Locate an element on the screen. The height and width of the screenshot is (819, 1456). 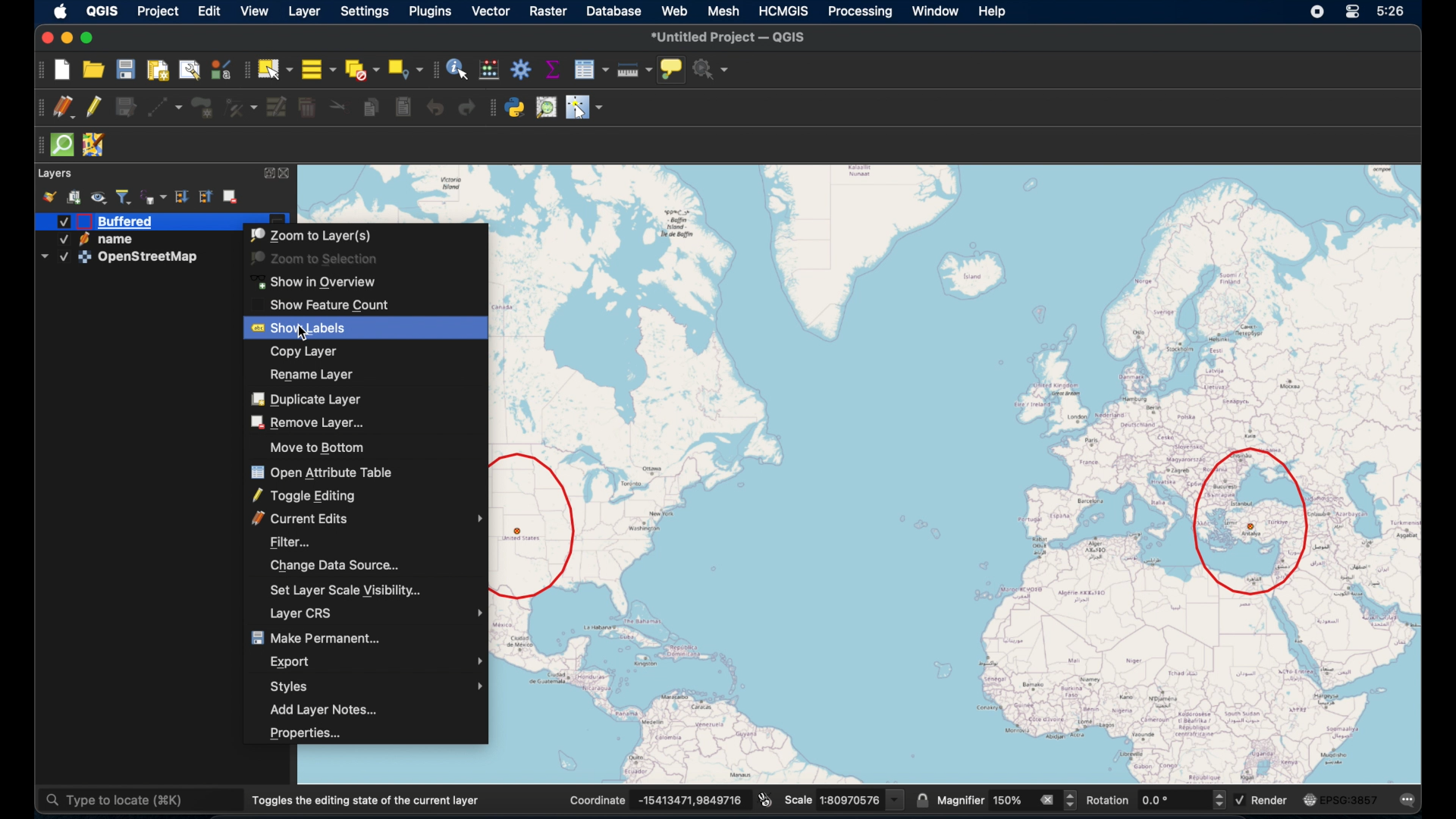
remove layer/group is located at coordinates (233, 195).